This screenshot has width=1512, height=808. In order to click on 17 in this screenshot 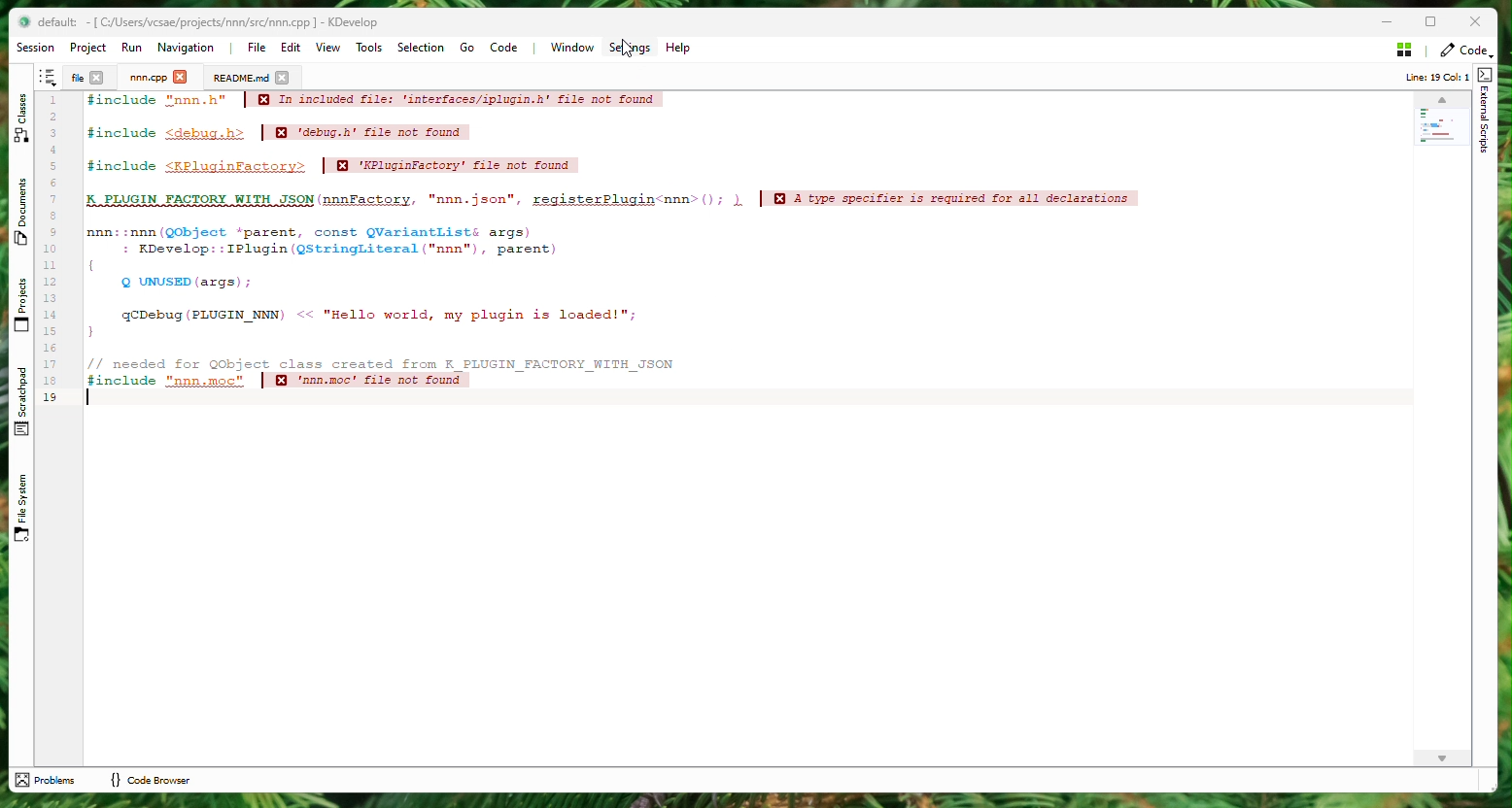, I will do `click(52, 364)`.